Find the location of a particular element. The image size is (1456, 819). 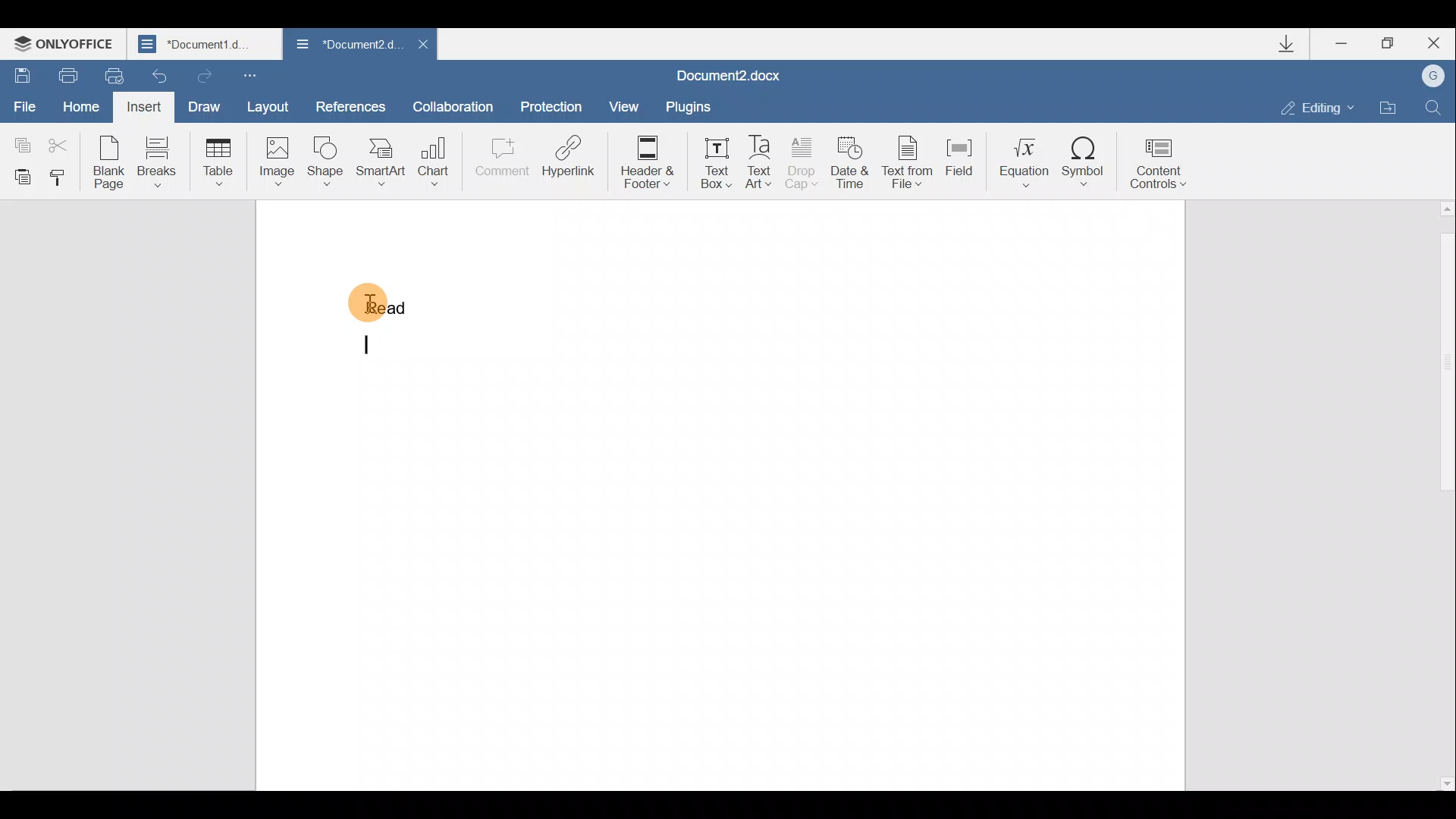

Minimize is located at coordinates (1342, 45).